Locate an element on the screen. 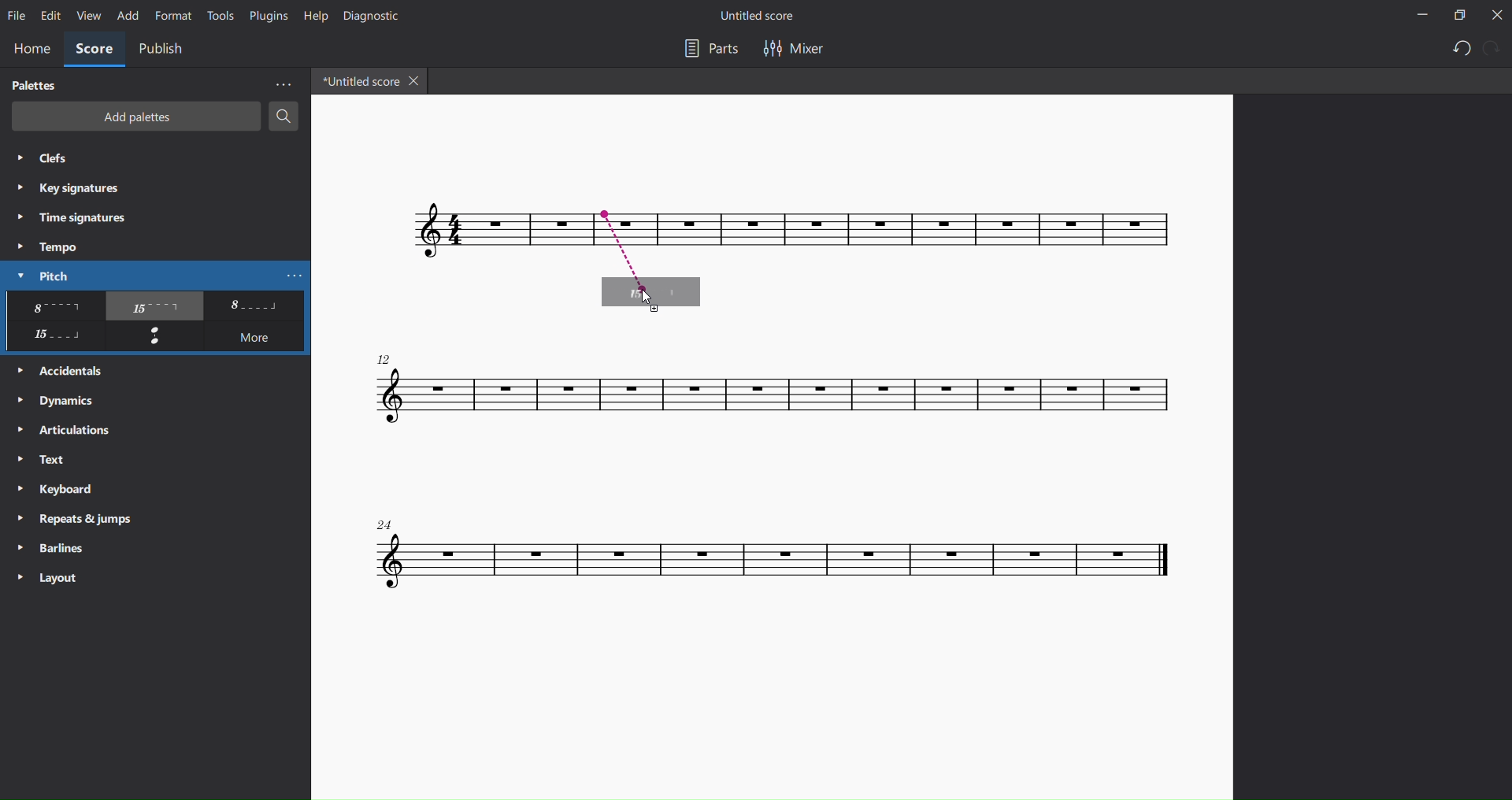 This screenshot has width=1512, height=800. file is located at coordinates (18, 14).